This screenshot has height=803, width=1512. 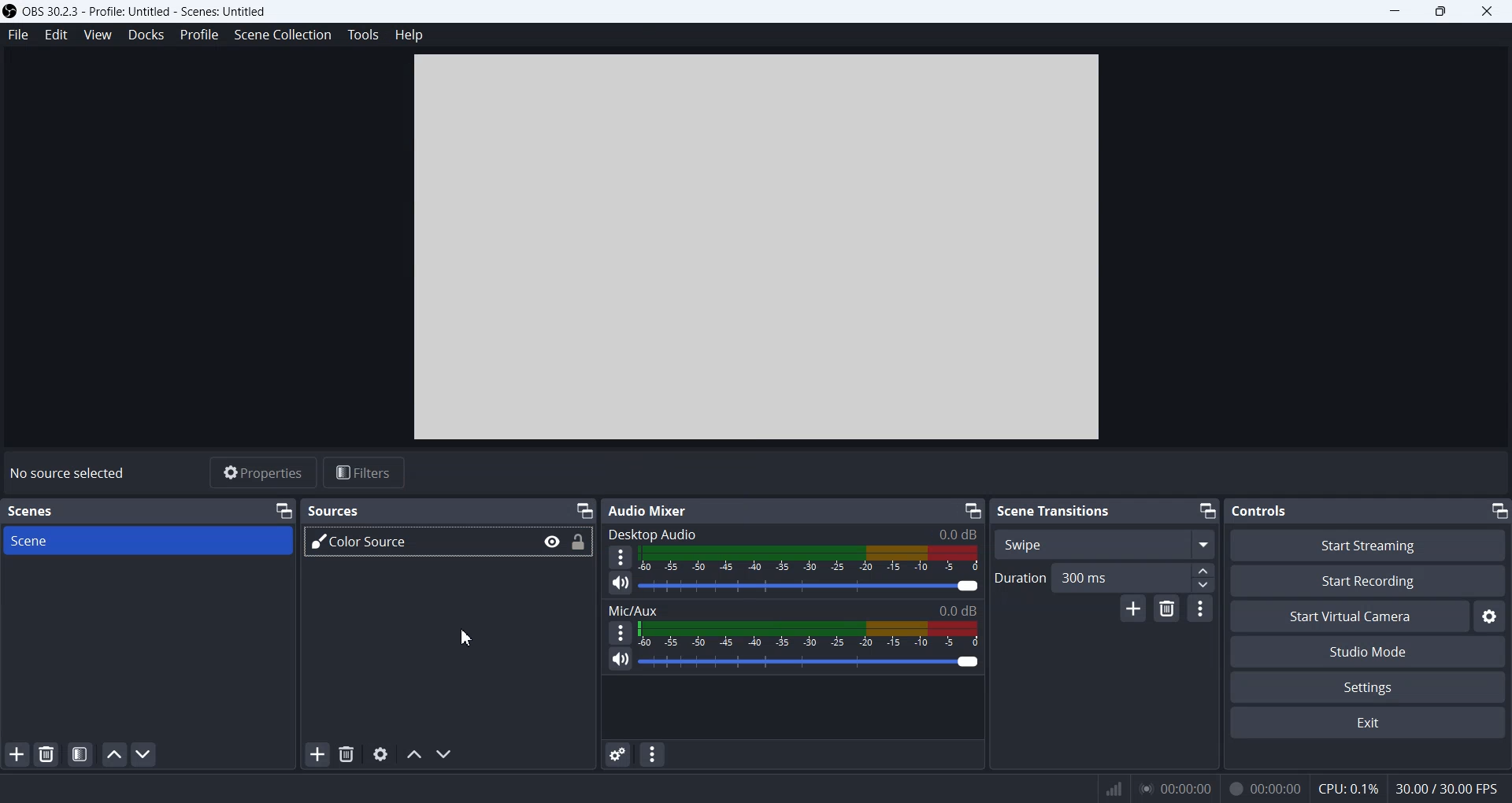 What do you see at coordinates (579, 542) in the screenshot?
I see `Lock` at bounding box center [579, 542].